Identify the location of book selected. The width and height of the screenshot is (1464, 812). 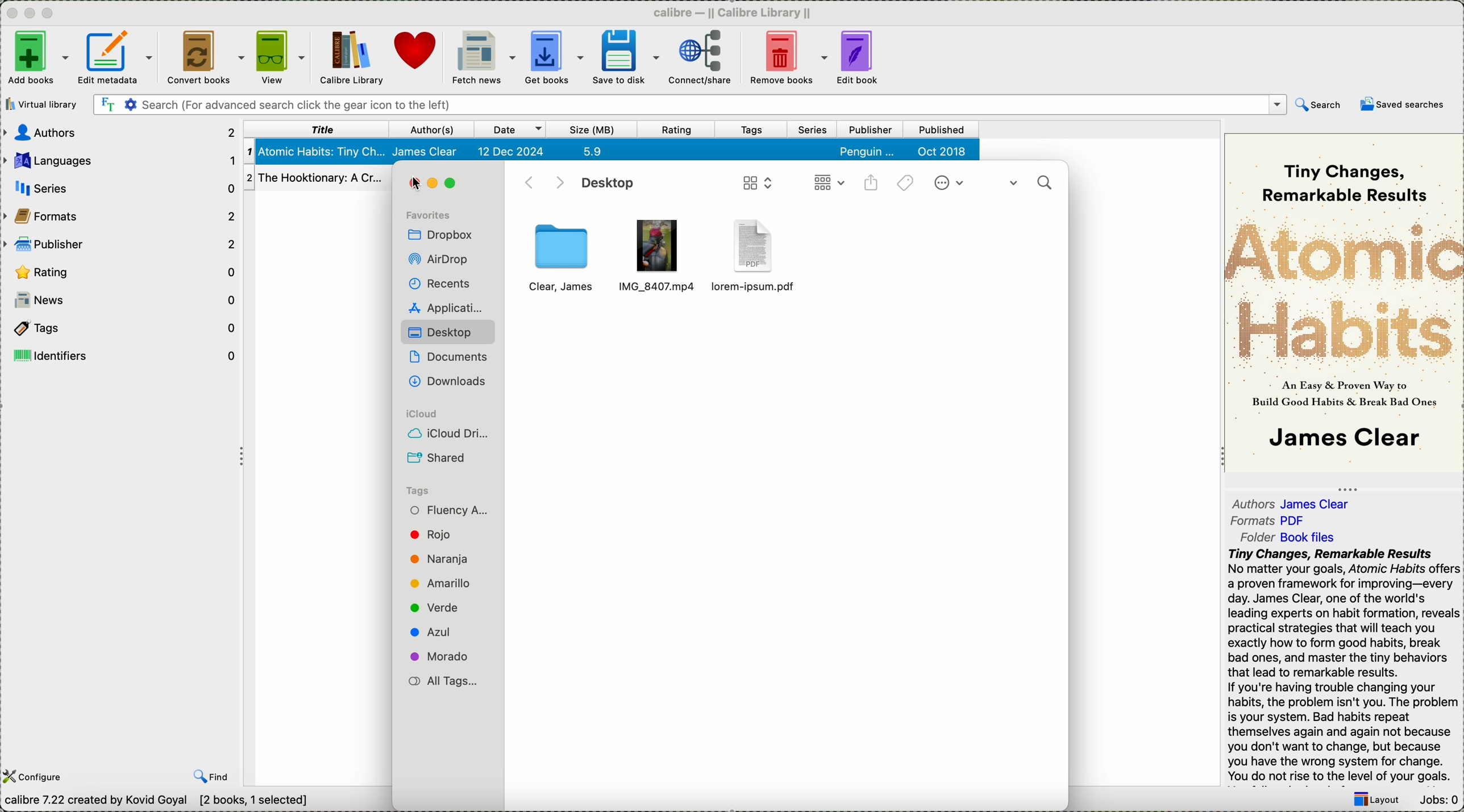
(613, 151).